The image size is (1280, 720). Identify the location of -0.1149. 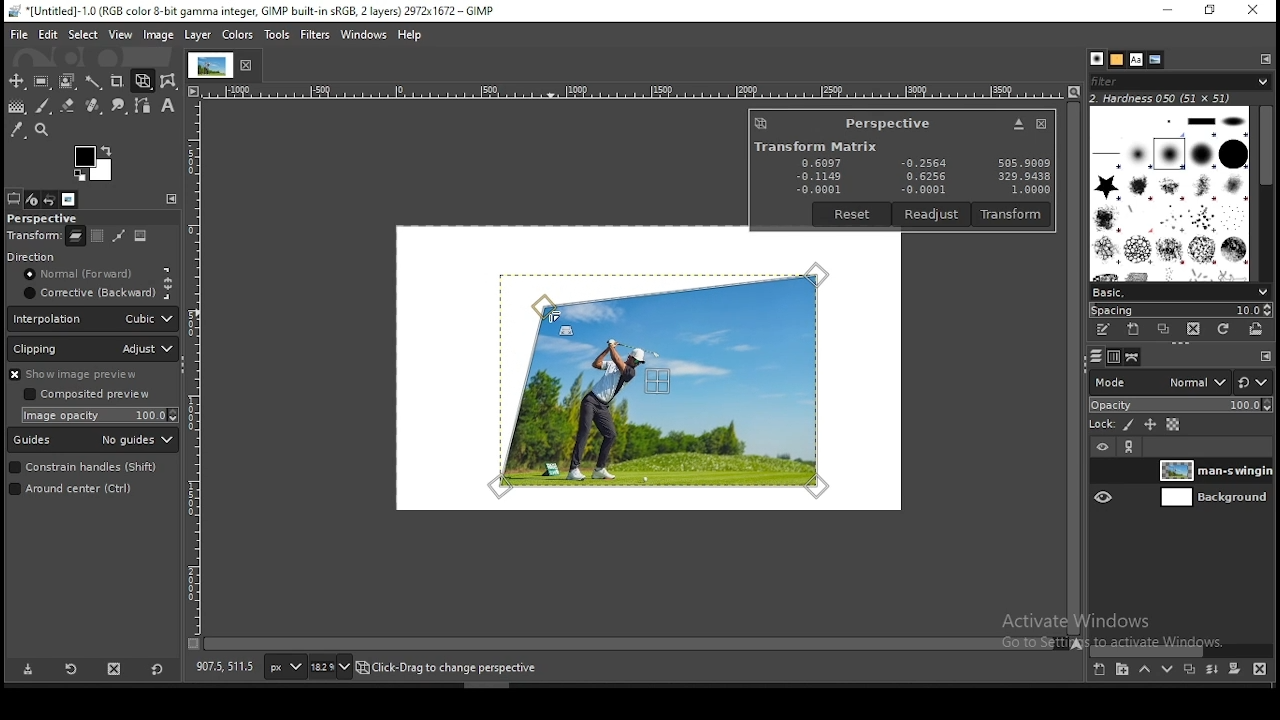
(817, 176).